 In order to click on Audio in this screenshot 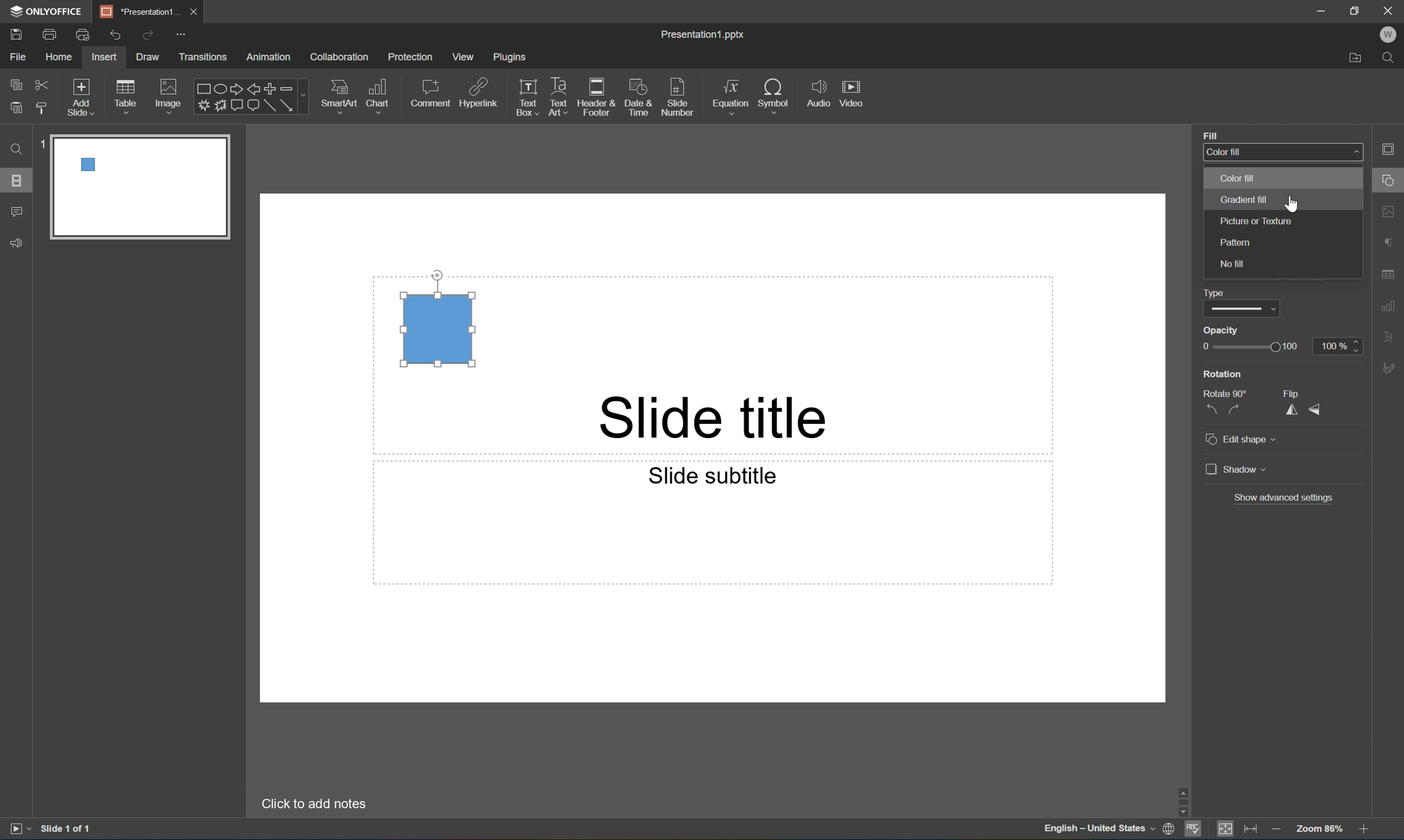, I will do `click(819, 93)`.